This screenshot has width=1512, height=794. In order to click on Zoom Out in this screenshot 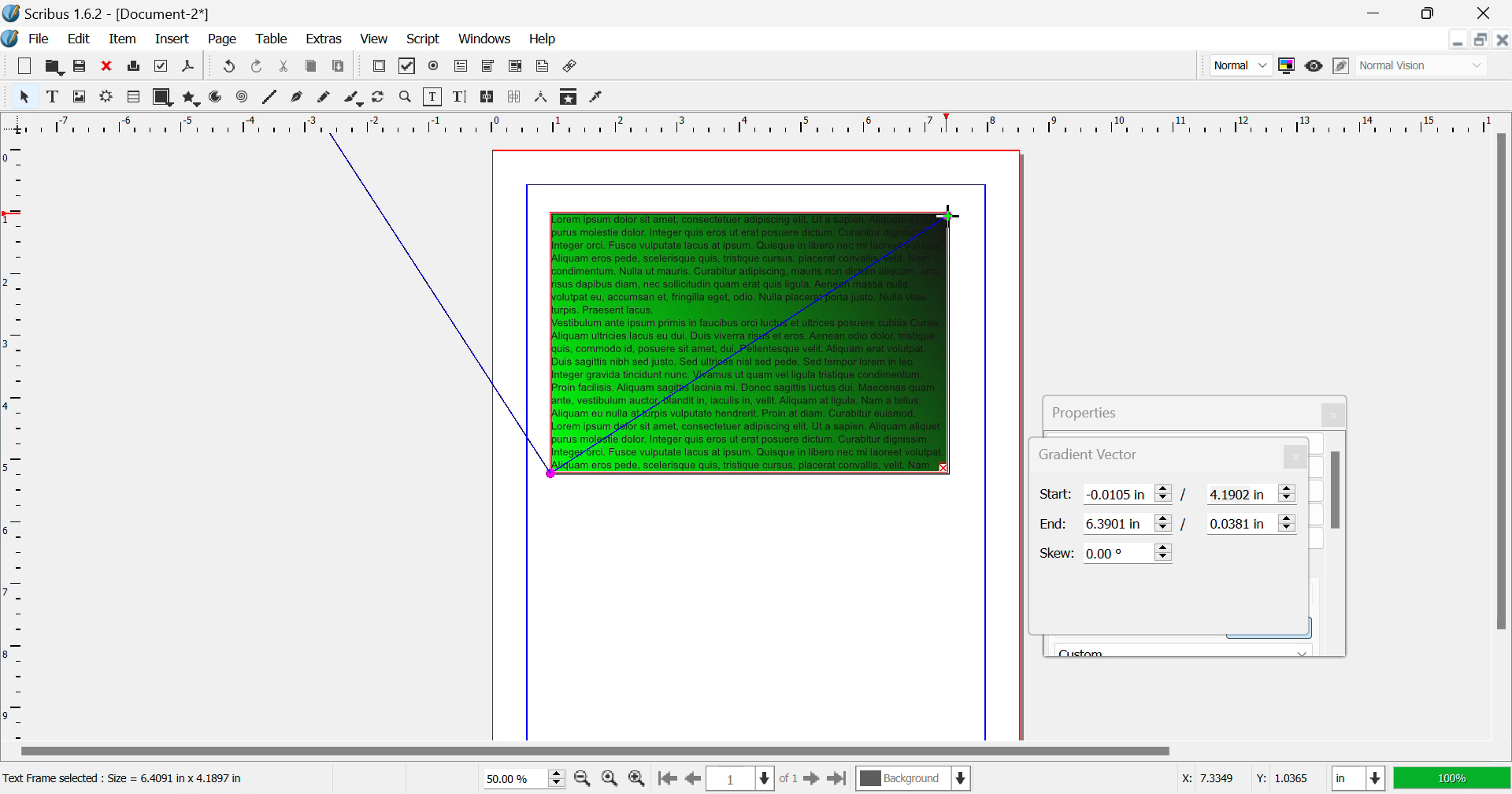, I will do `click(584, 777)`.